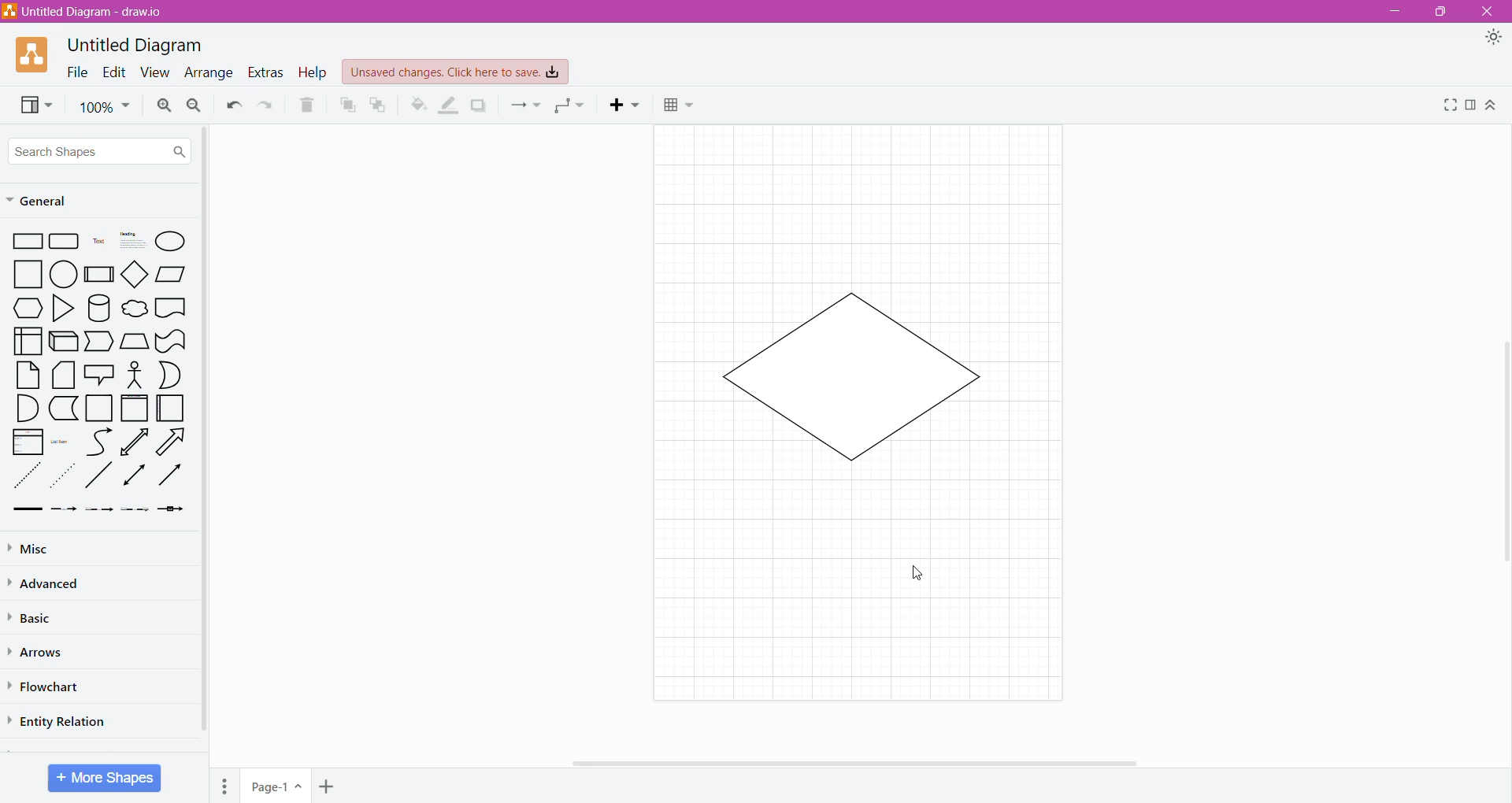  Describe the element at coordinates (85, 13) in the screenshot. I see `Application Name` at that location.